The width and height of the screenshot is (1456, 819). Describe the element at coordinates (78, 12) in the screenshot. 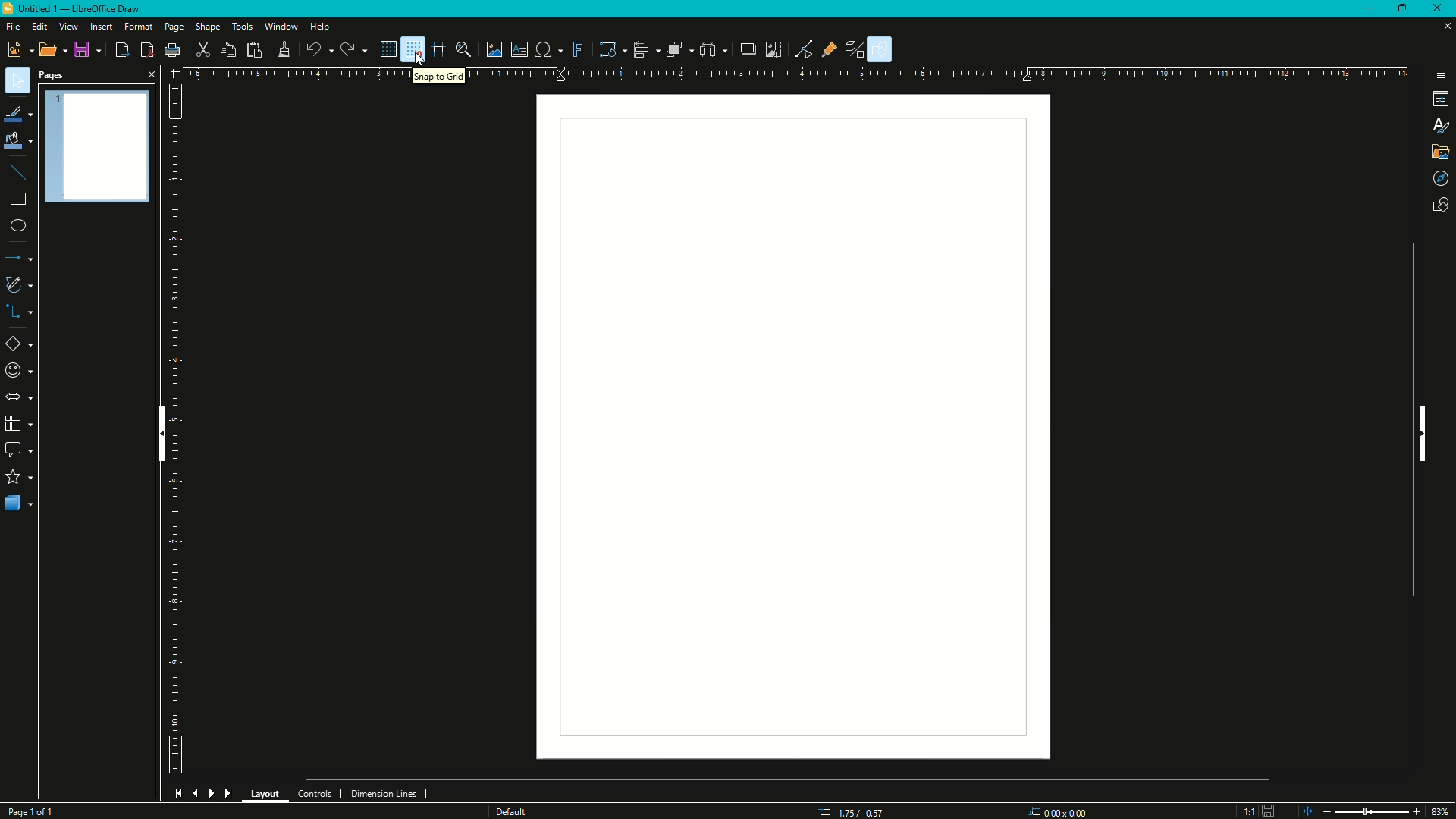

I see `Untitled 1` at that location.